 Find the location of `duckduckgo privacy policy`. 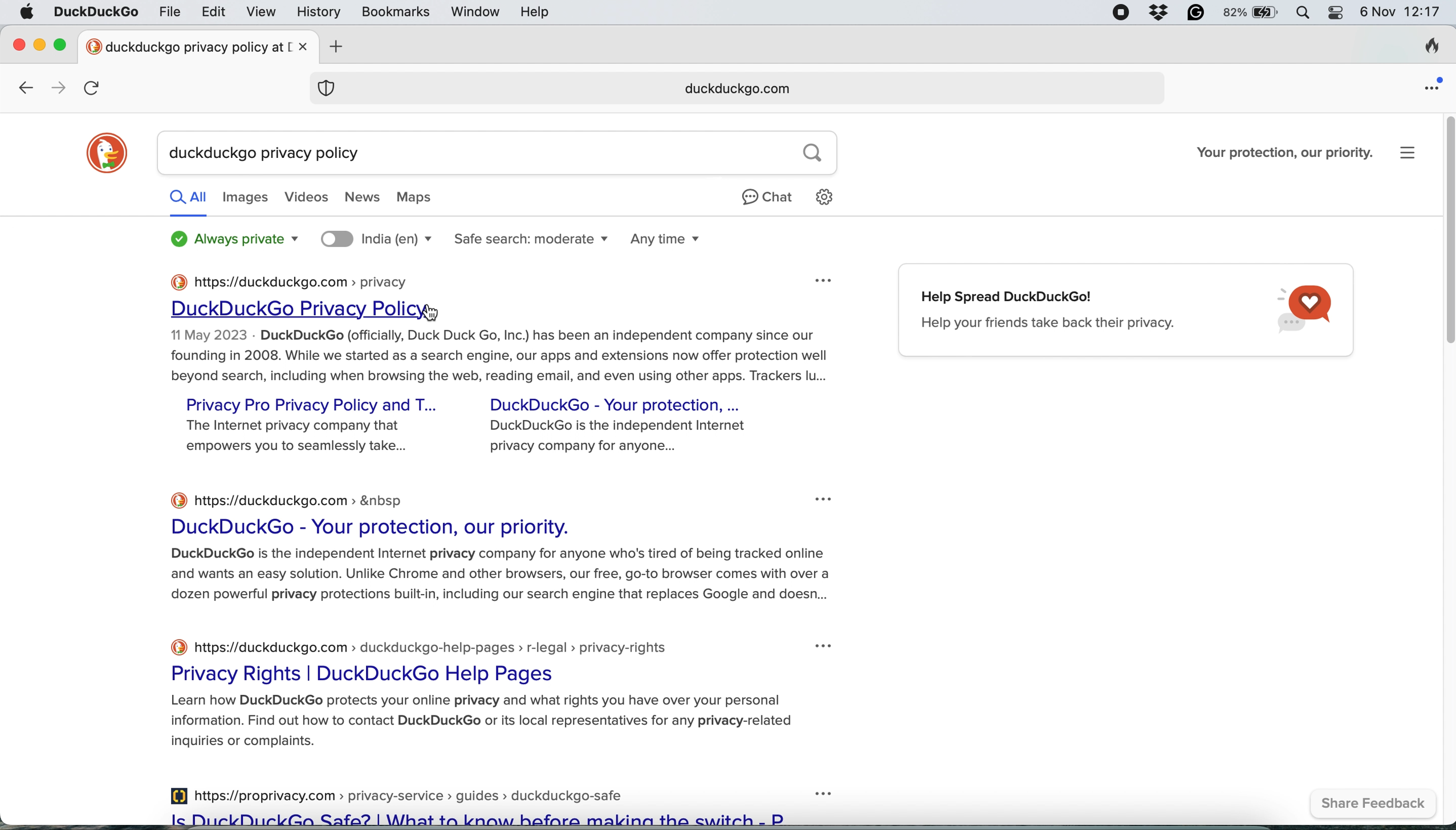

duckduckgo privacy policy is located at coordinates (288, 308).